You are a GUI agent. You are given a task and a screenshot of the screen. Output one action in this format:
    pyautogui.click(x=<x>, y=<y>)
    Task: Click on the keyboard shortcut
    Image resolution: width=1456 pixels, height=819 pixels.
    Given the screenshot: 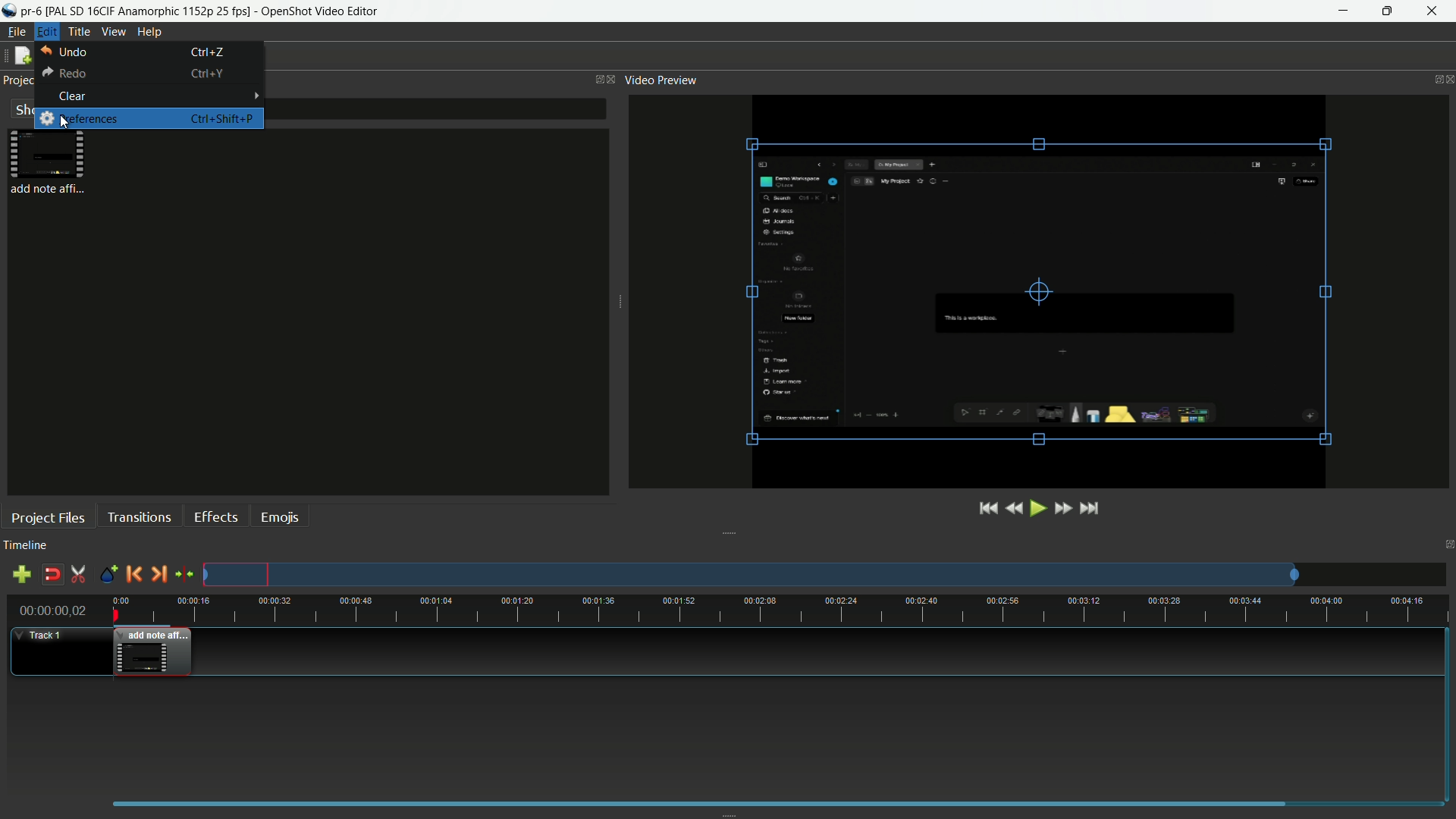 What is the action you would take?
    pyautogui.click(x=221, y=119)
    